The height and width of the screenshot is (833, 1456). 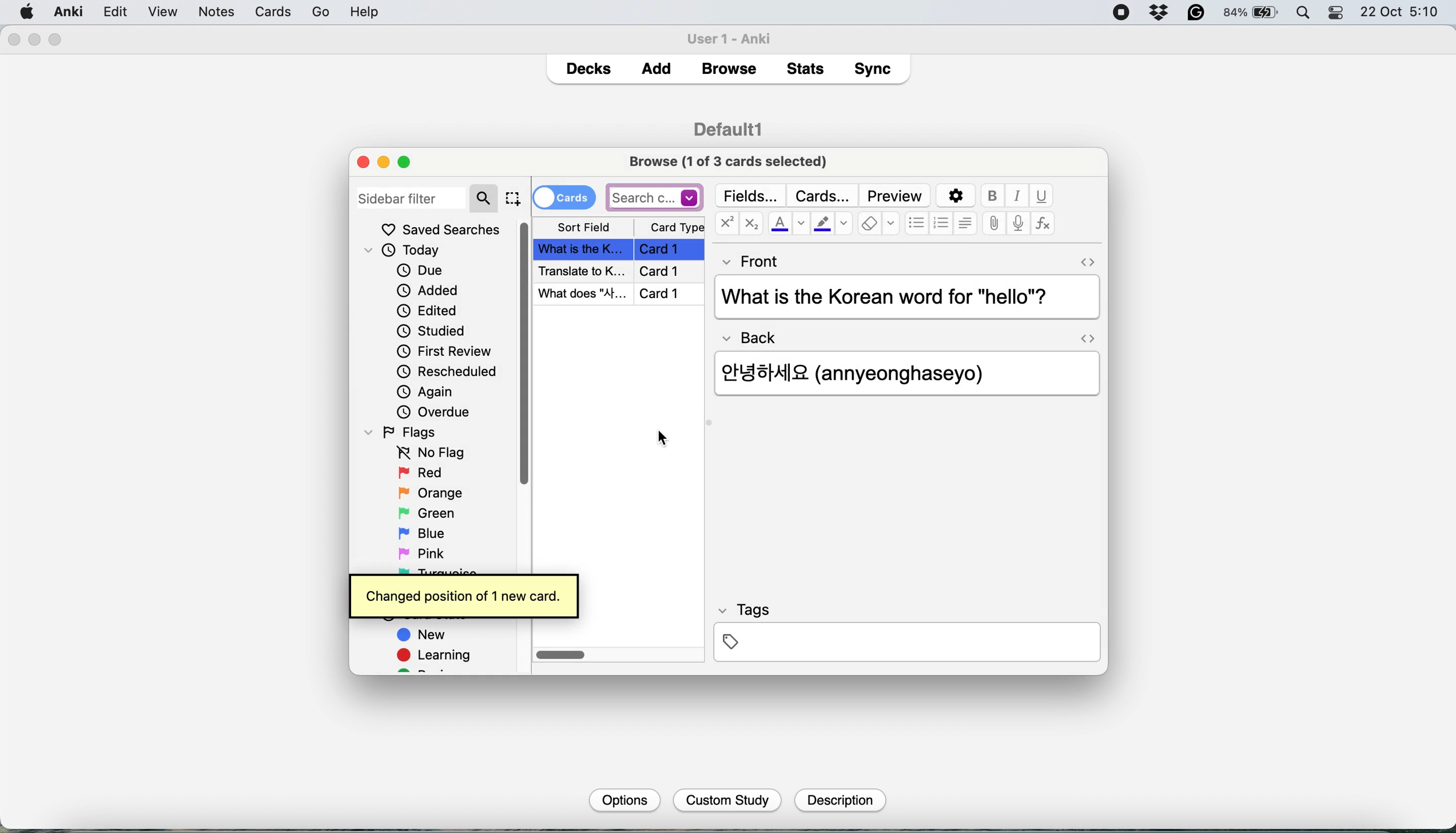 What do you see at coordinates (1041, 196) in the screenshot?
I see `underline` at bounding box center [1041, 196].